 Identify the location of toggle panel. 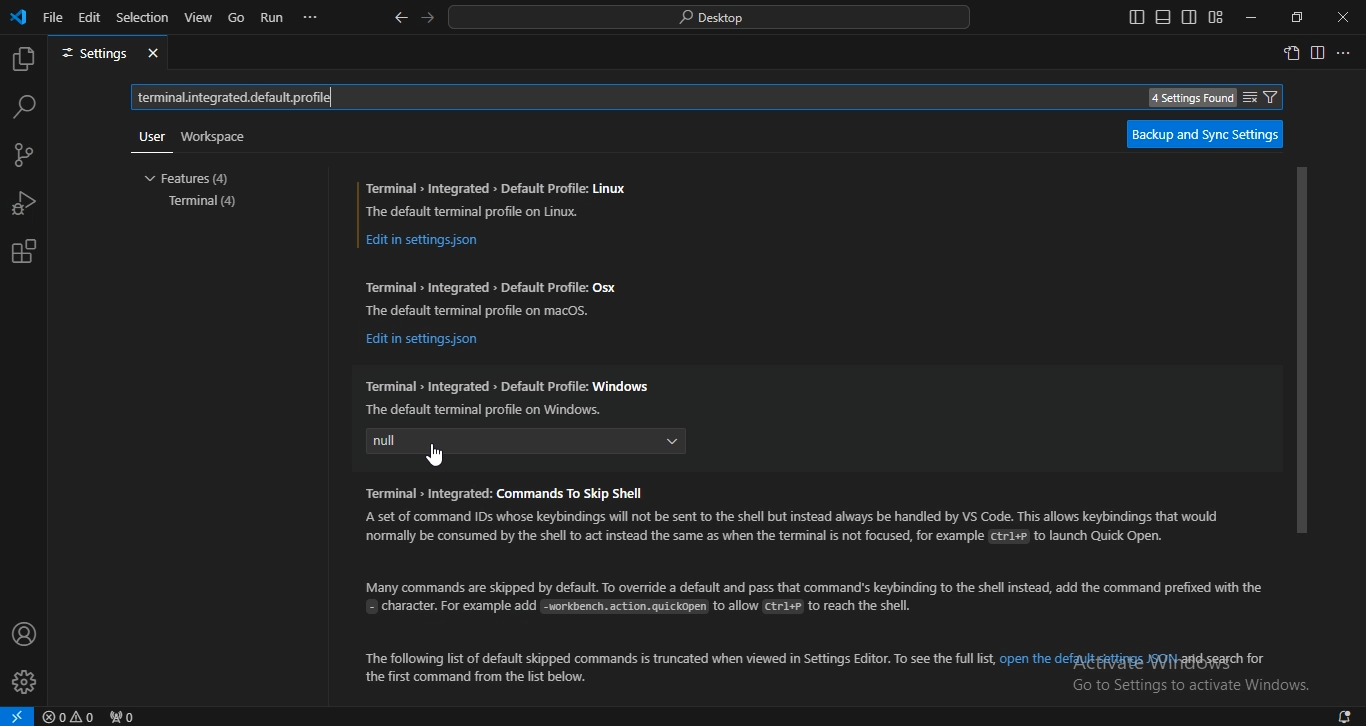
(1162, 17).